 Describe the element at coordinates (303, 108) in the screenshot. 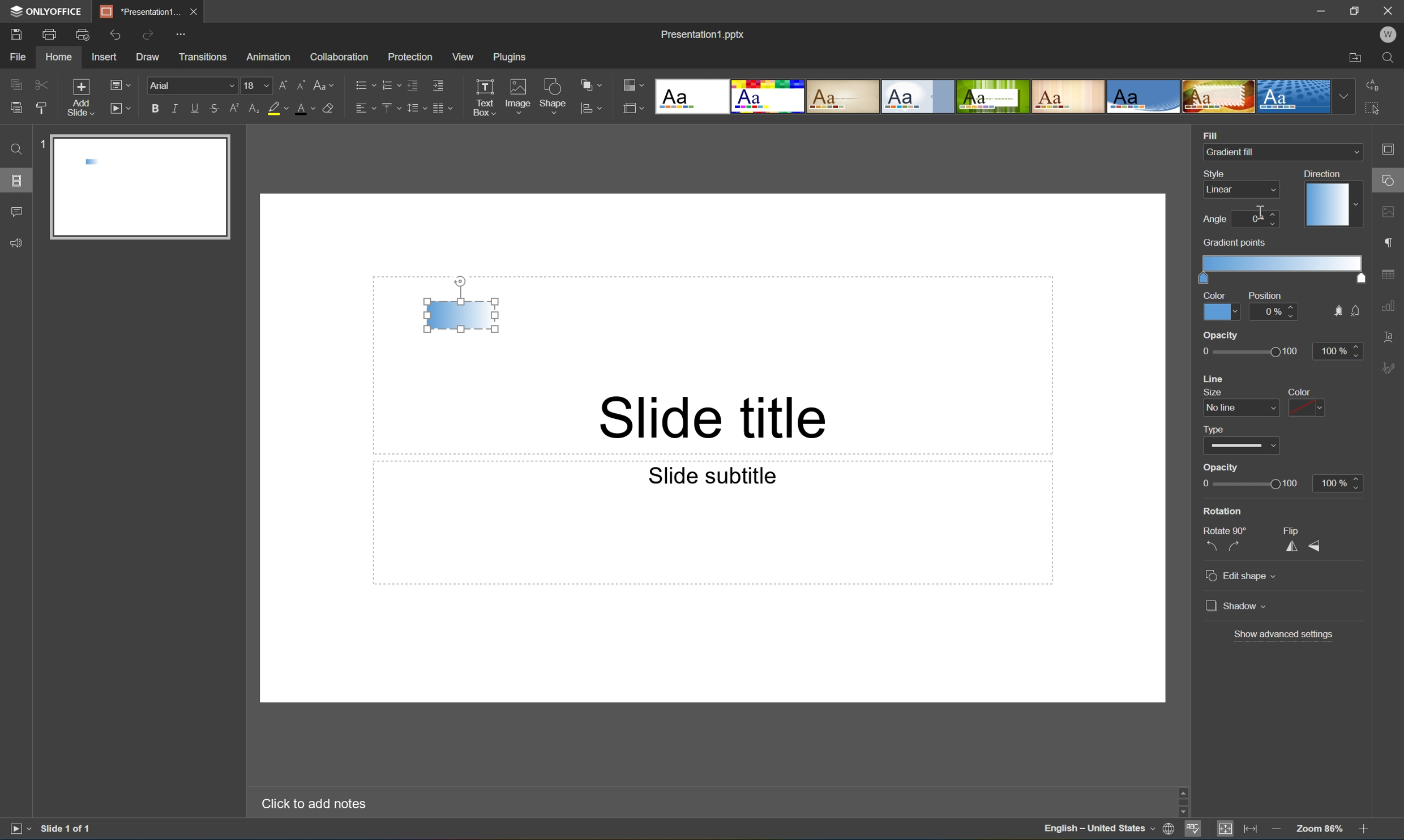

I see `Font color` at that location.